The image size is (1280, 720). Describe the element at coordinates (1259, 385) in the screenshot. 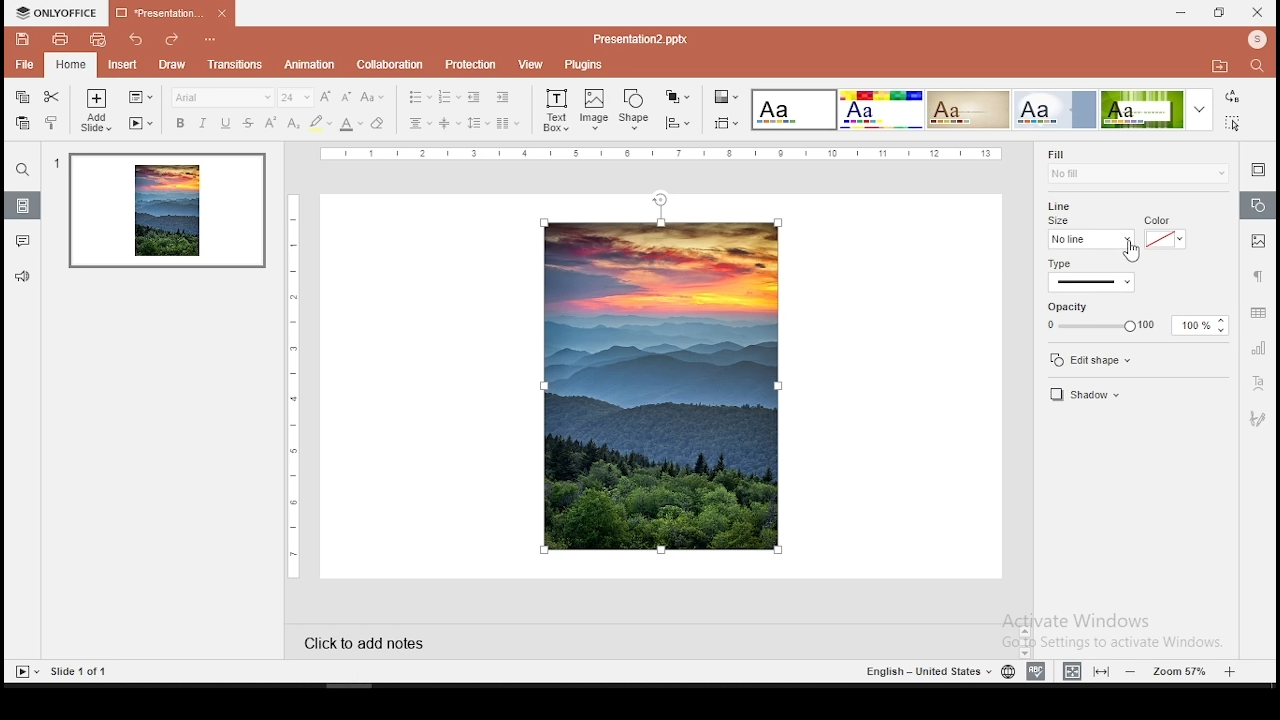

I see `text art tool` at that location.